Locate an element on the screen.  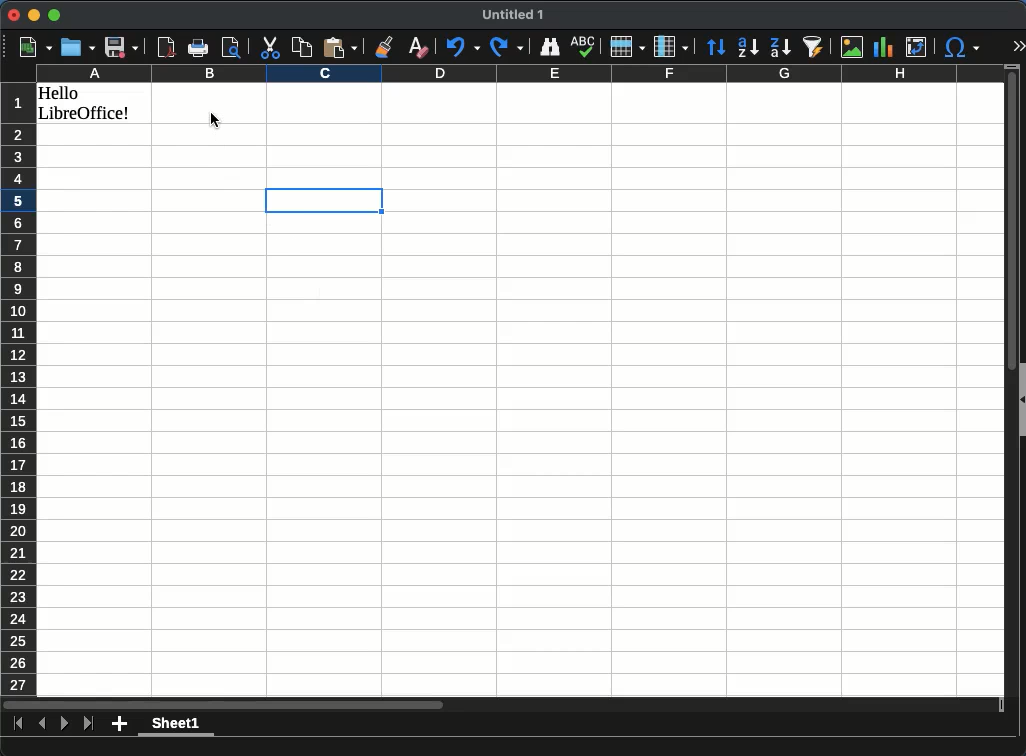
print is located at coordinates (199, 50).